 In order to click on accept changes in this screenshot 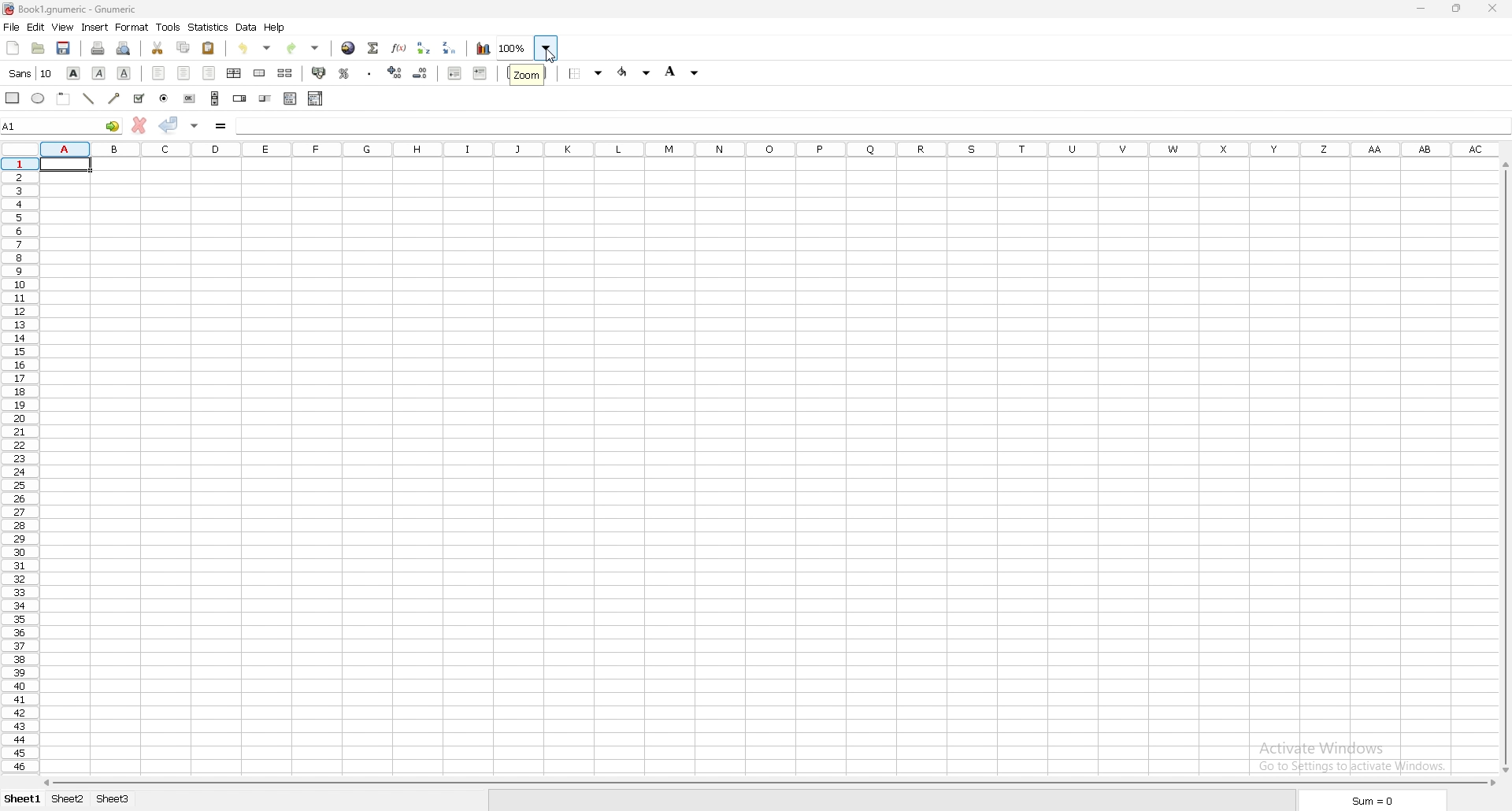, I will do `click(169, 124)`.